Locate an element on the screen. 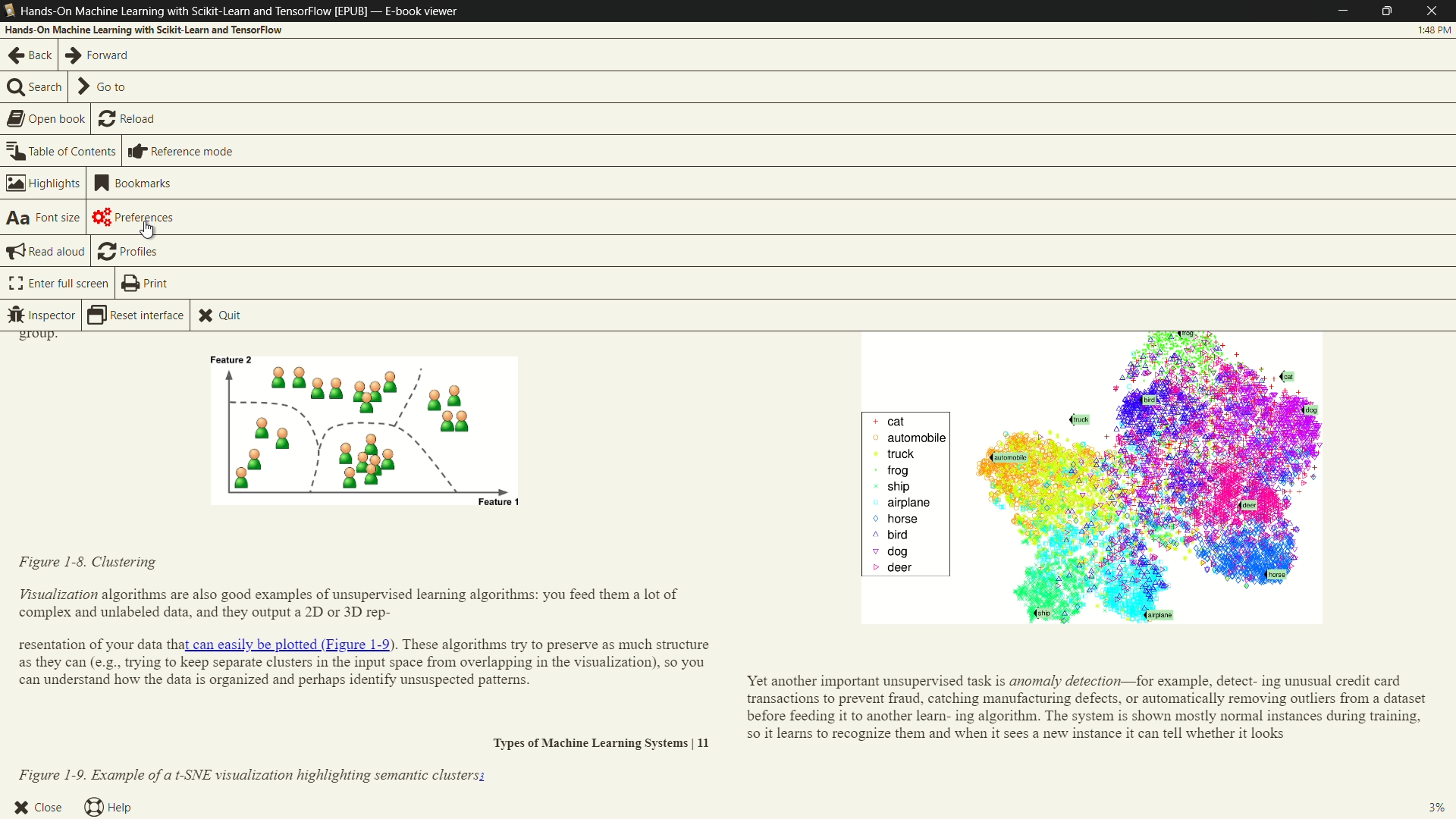 The image size is (1456, 819). quit is located at coordinates (219, 316).